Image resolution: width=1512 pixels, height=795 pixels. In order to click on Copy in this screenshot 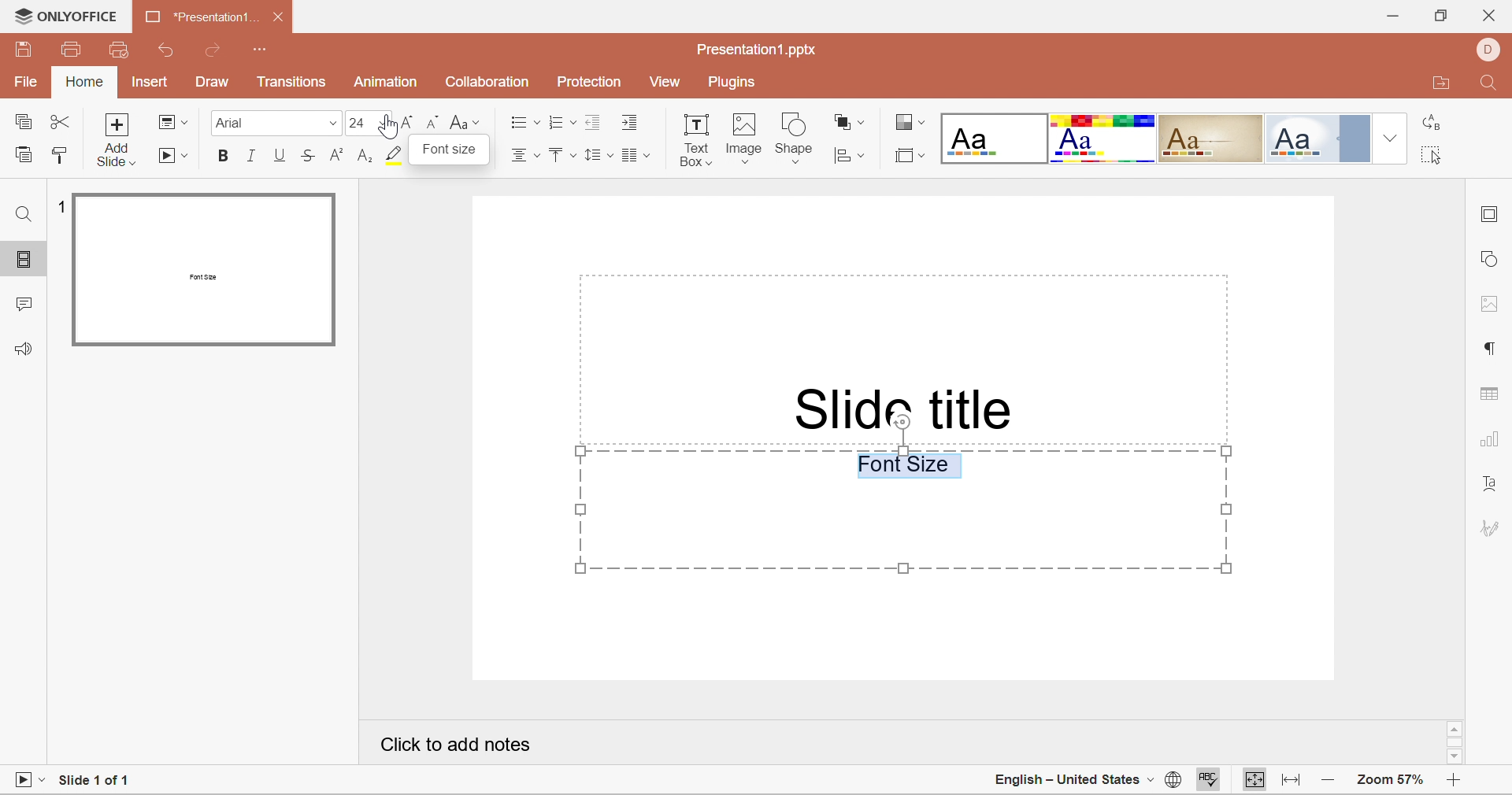, I will do `click(26, 123)`.